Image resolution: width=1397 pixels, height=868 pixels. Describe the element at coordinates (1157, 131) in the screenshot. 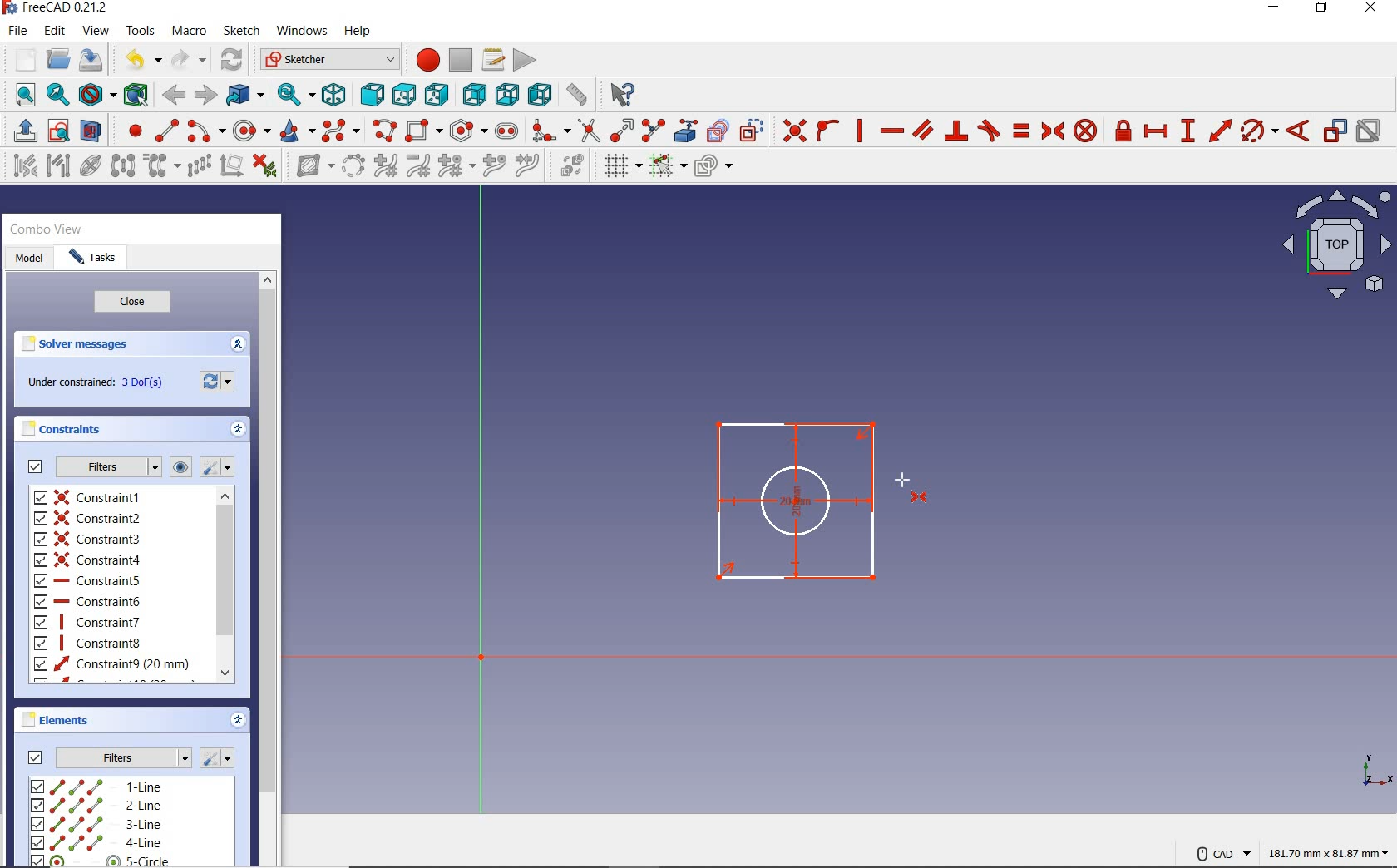

I see `constrain horizontal distance` at that location.